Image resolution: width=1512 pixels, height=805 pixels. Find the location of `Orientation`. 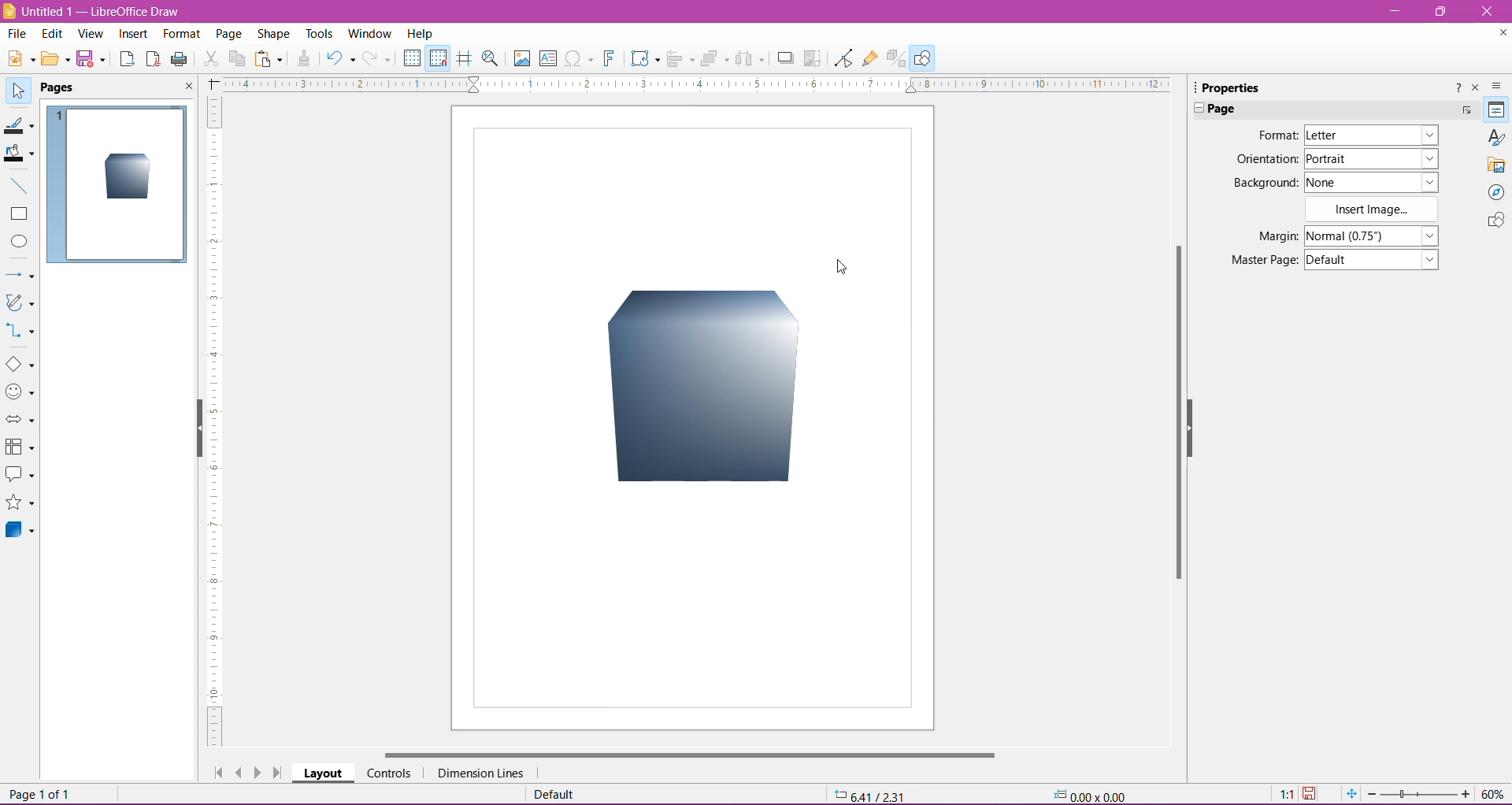

Orientation is located at coordinates (1266, 161).